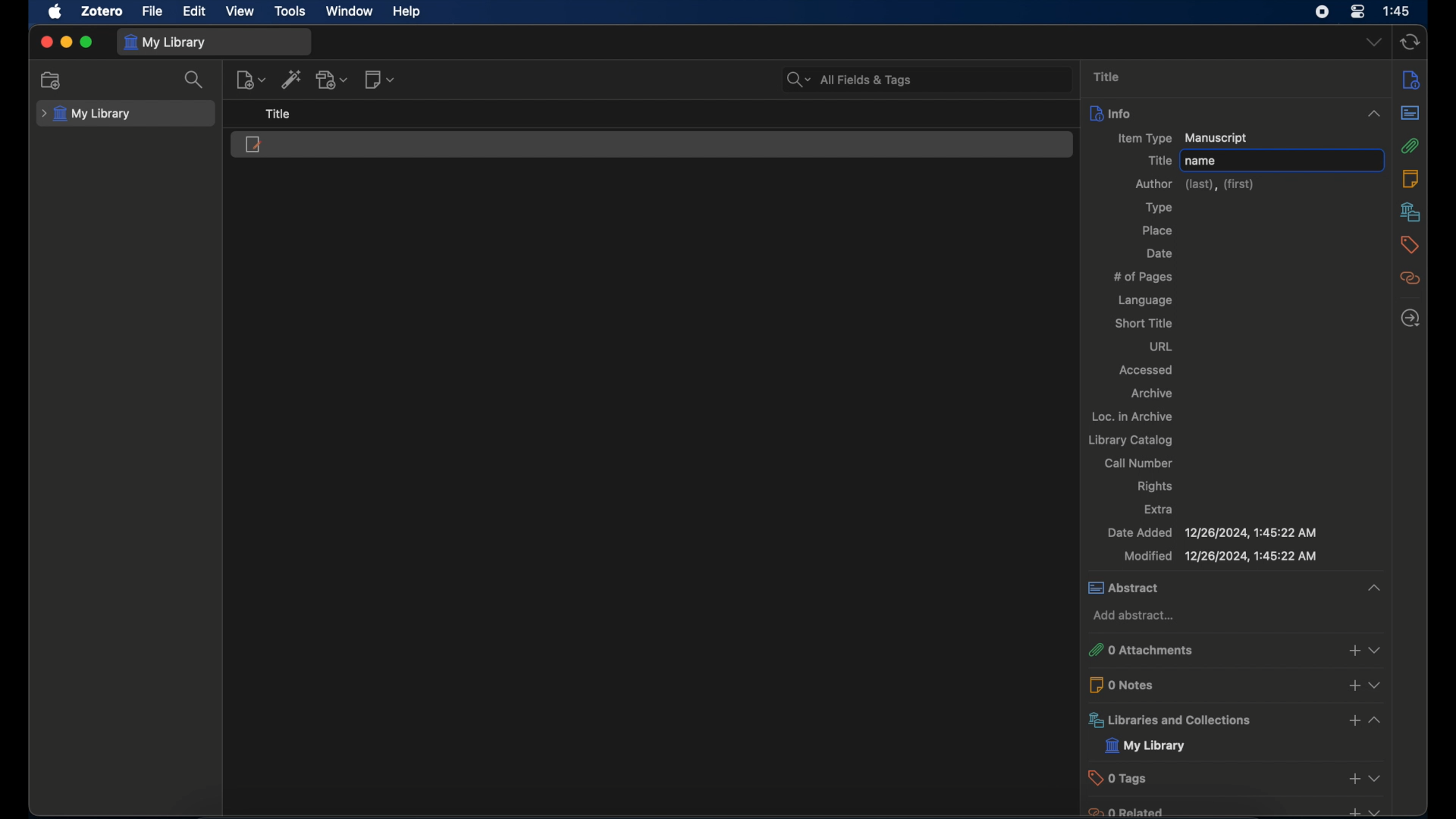 The width and height of the screenshot is (1456, 819). Describe the element at coordinates (1156, 487) in the screenshot. I see `rights` at that location.